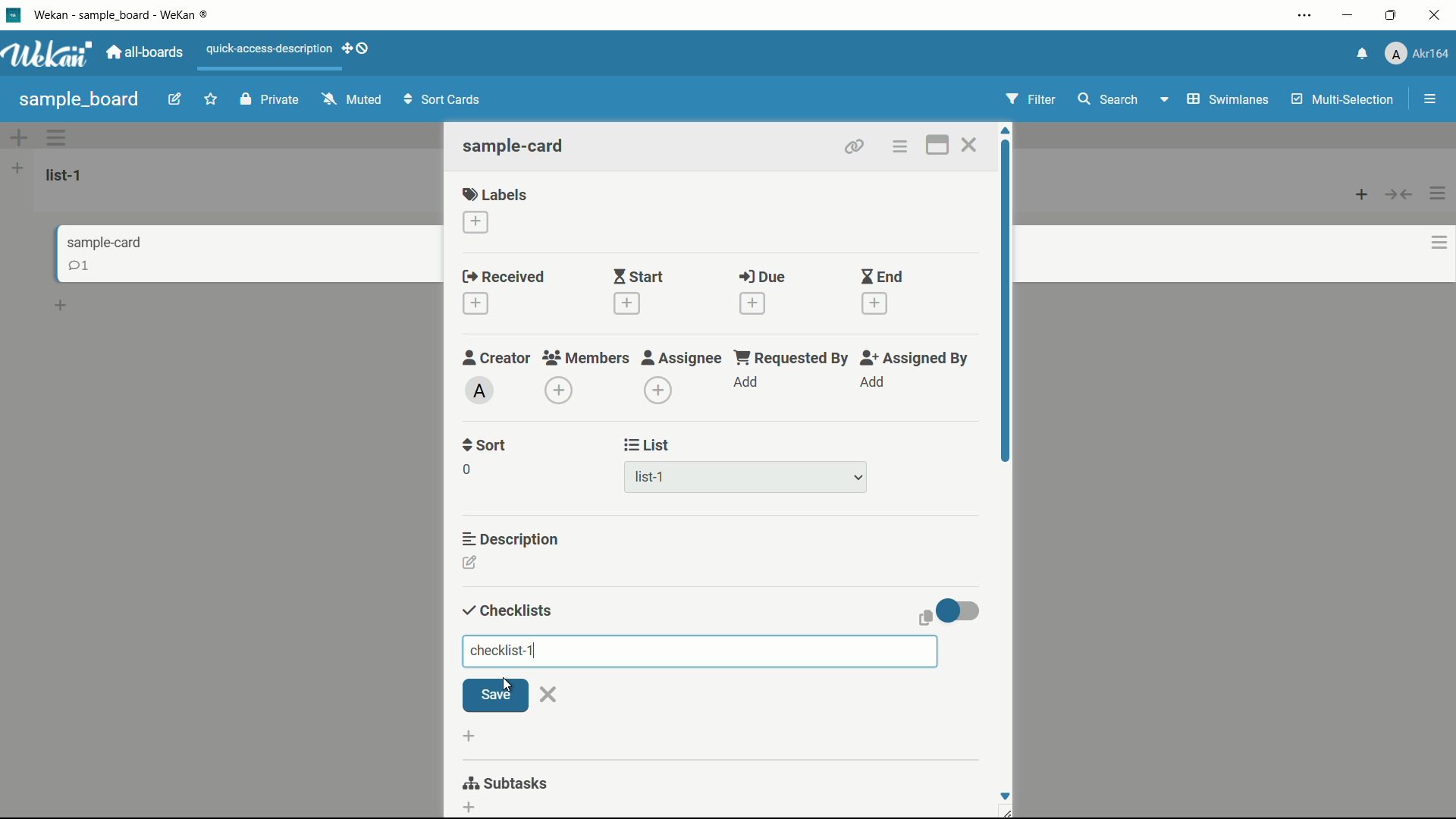 The width and height of the screenshot is (1456, 819). I want to click on checklists, so click(507, 611).